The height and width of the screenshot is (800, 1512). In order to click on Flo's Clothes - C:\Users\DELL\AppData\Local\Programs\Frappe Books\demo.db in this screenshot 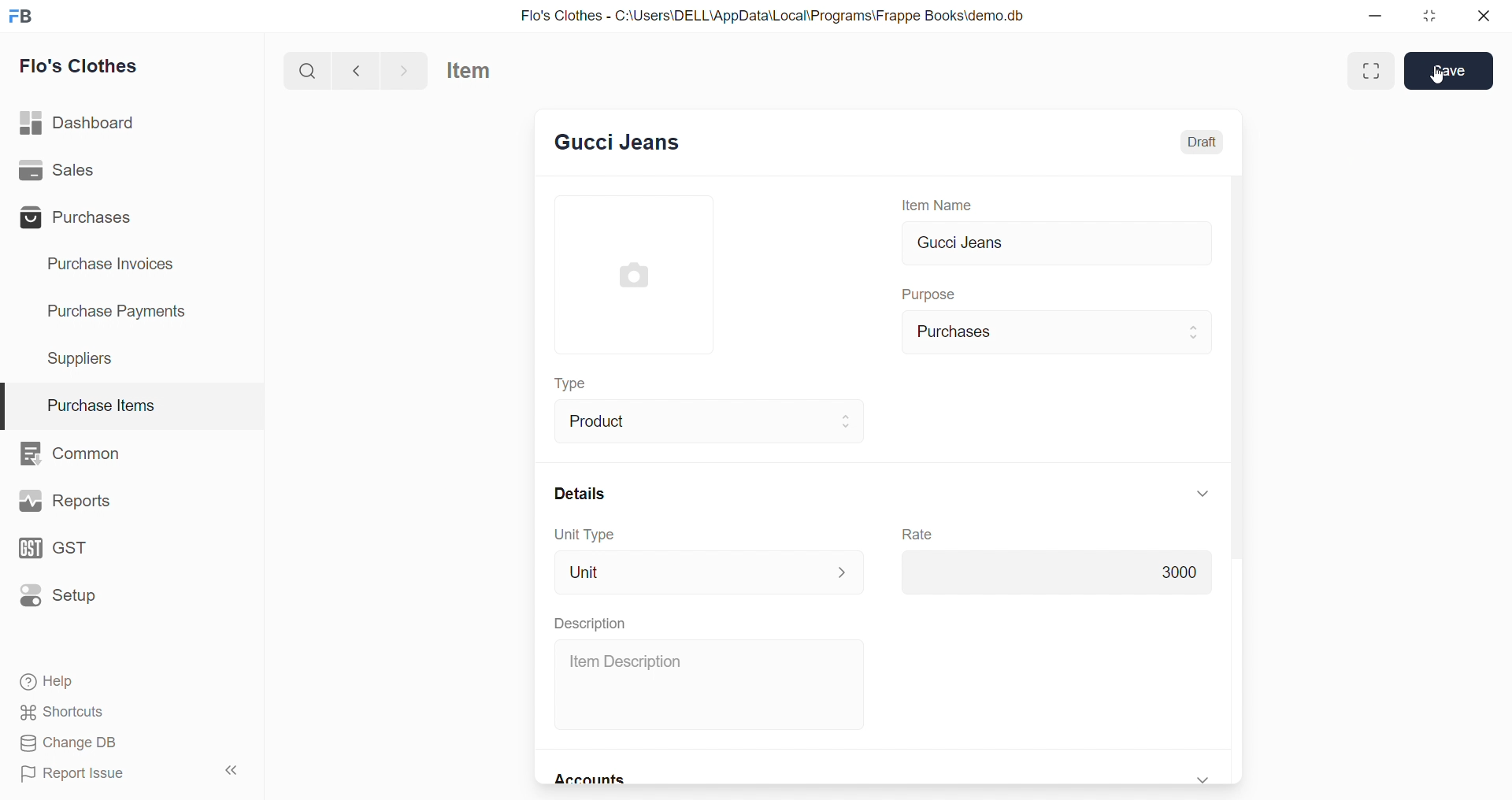, I will do `click(773, 14)`.